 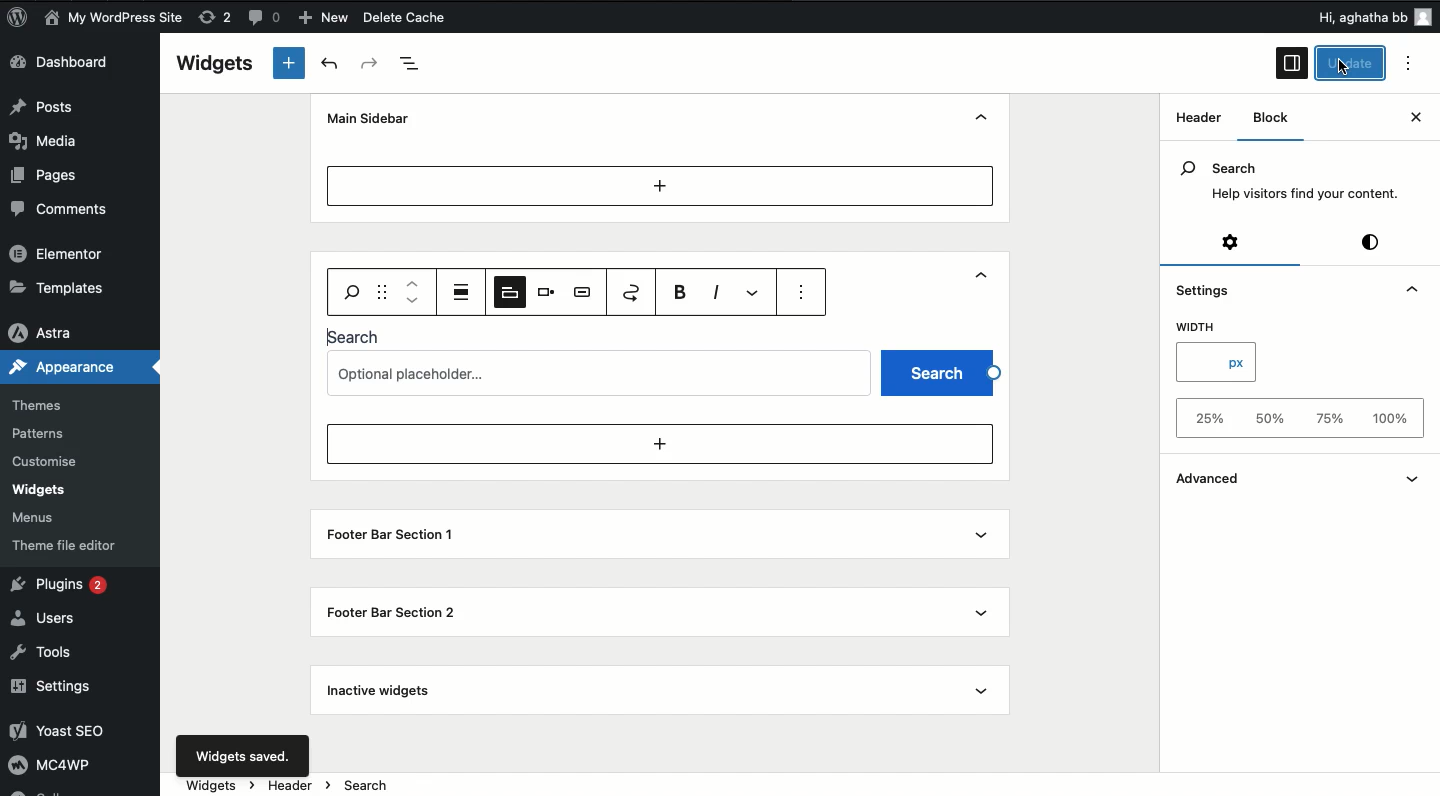 What do you see at coordinates (463, 291) in the screenshot?
I see `Align` at bounding box center [463, 291].